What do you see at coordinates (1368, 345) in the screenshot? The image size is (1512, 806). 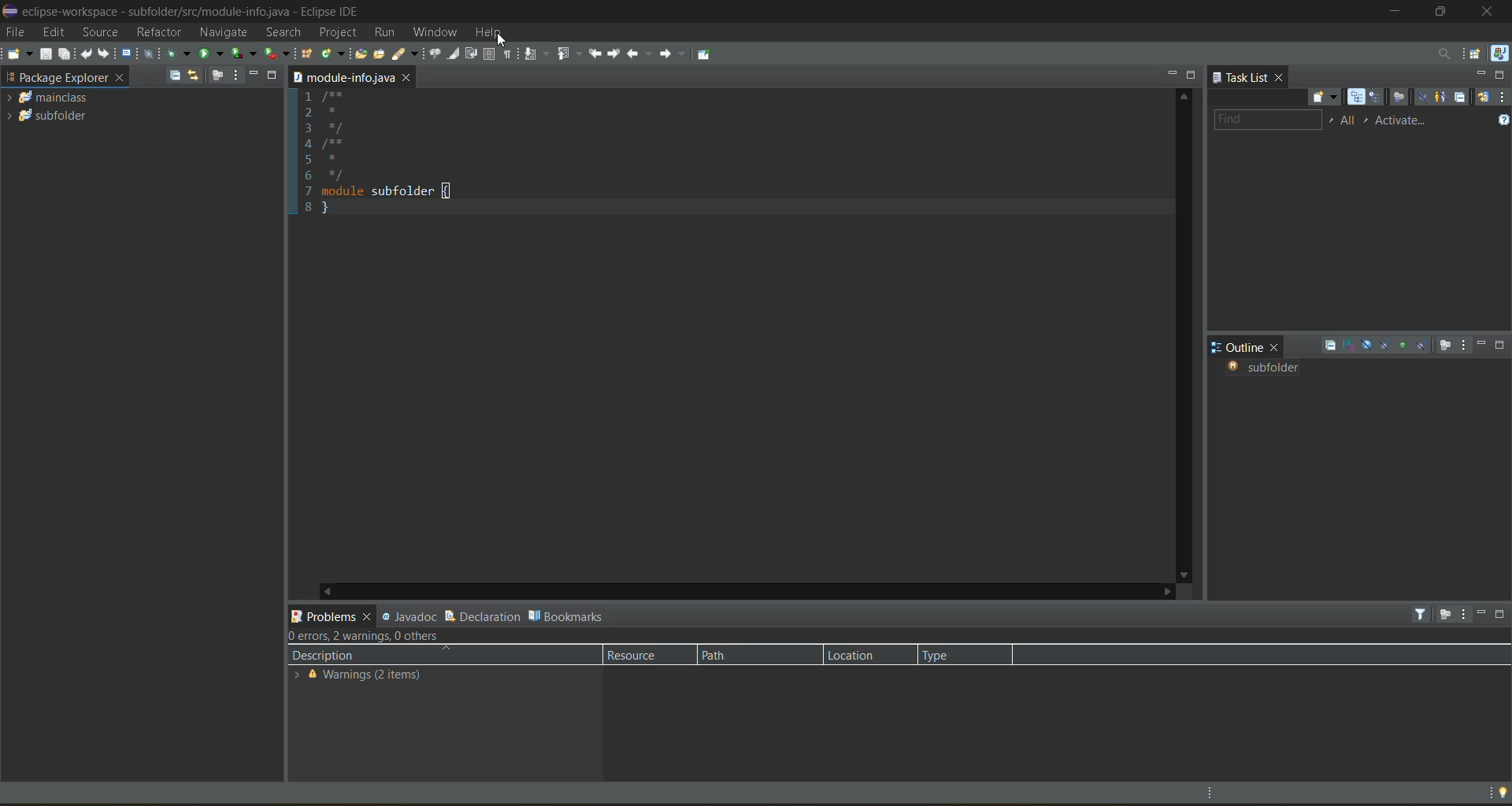 I see `hide fields` at bounding box center [1368, 345].